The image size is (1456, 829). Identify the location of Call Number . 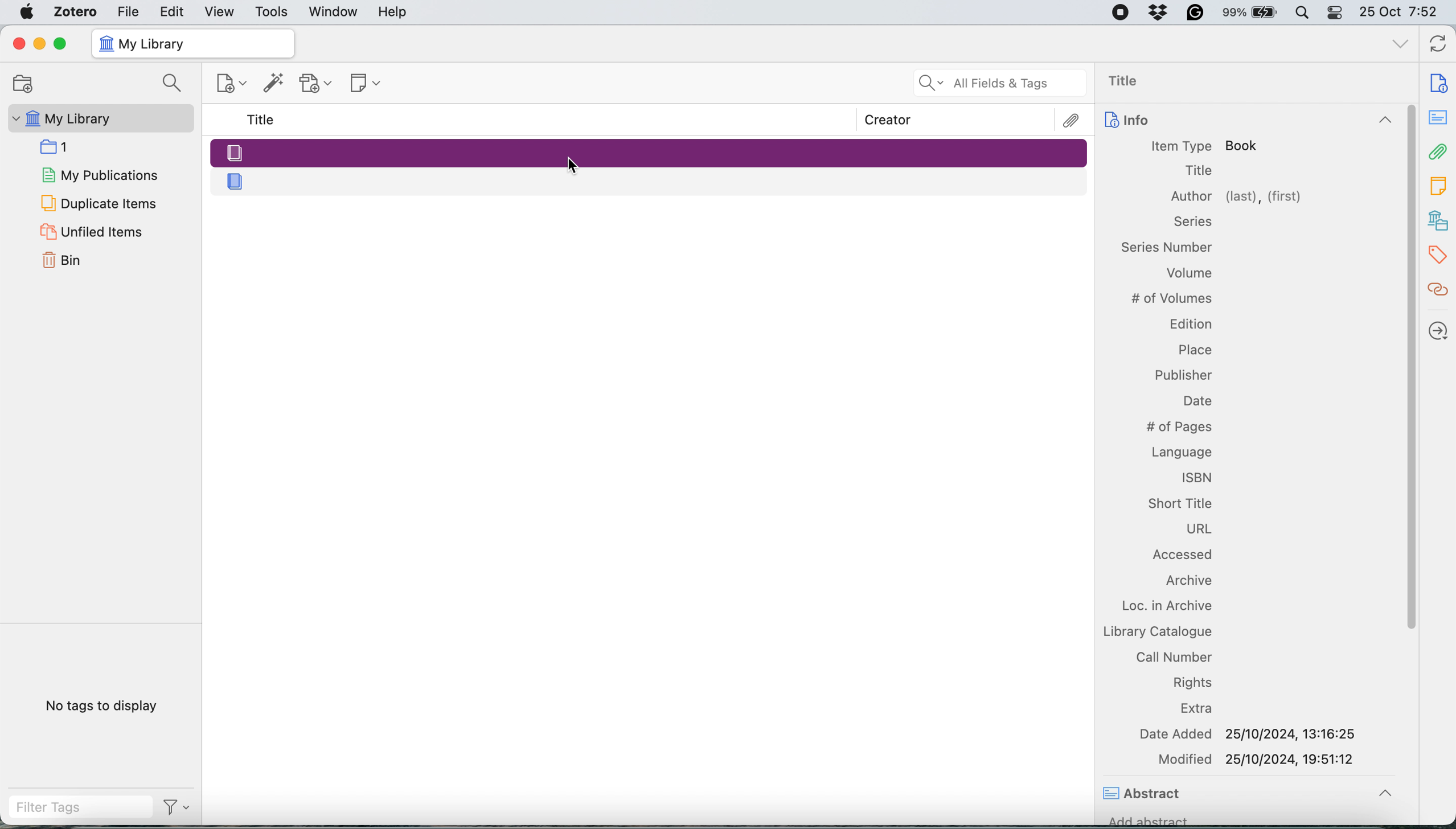
(1174, 656).